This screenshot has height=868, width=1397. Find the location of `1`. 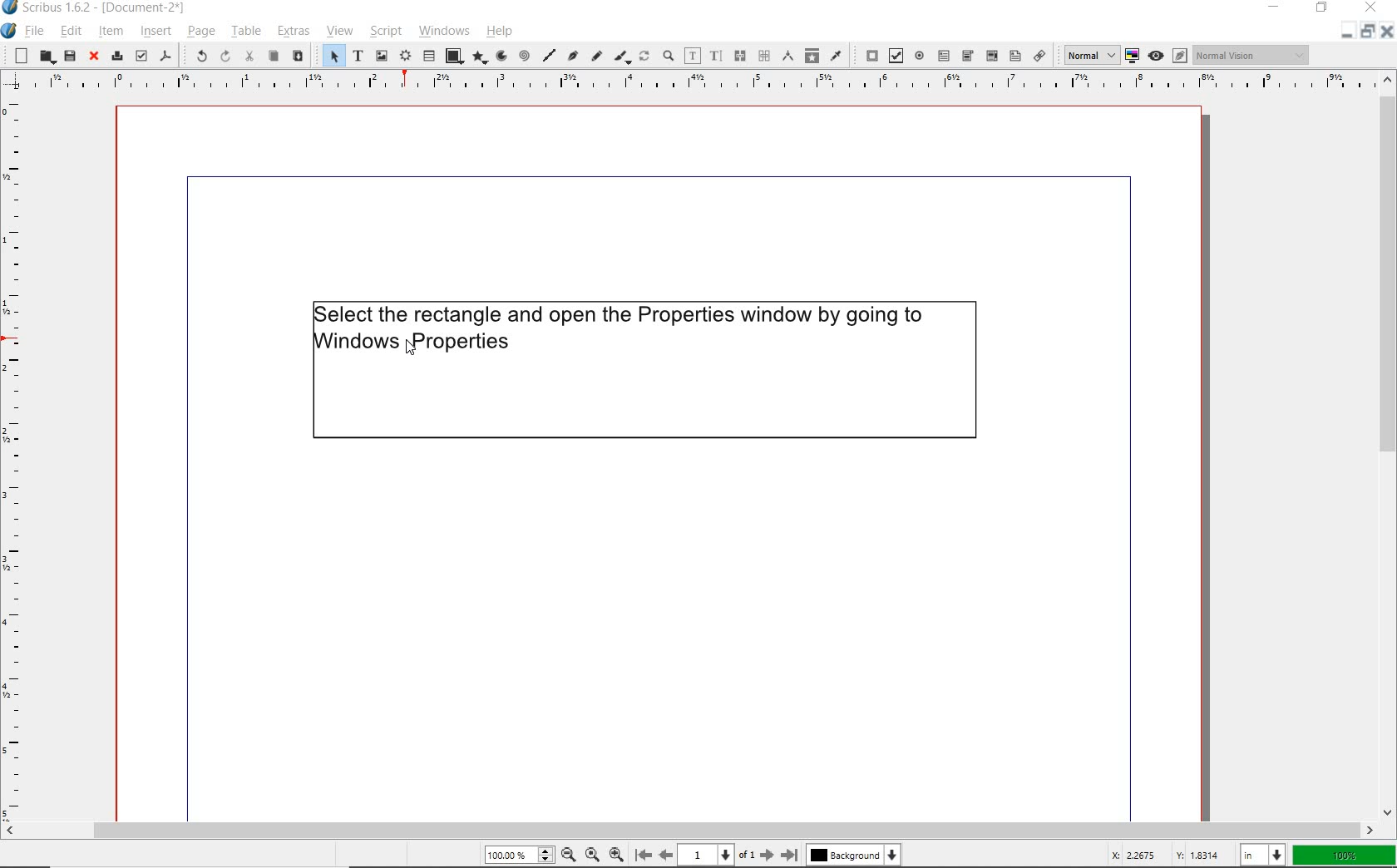

1 is located at coordinates (706, 852).